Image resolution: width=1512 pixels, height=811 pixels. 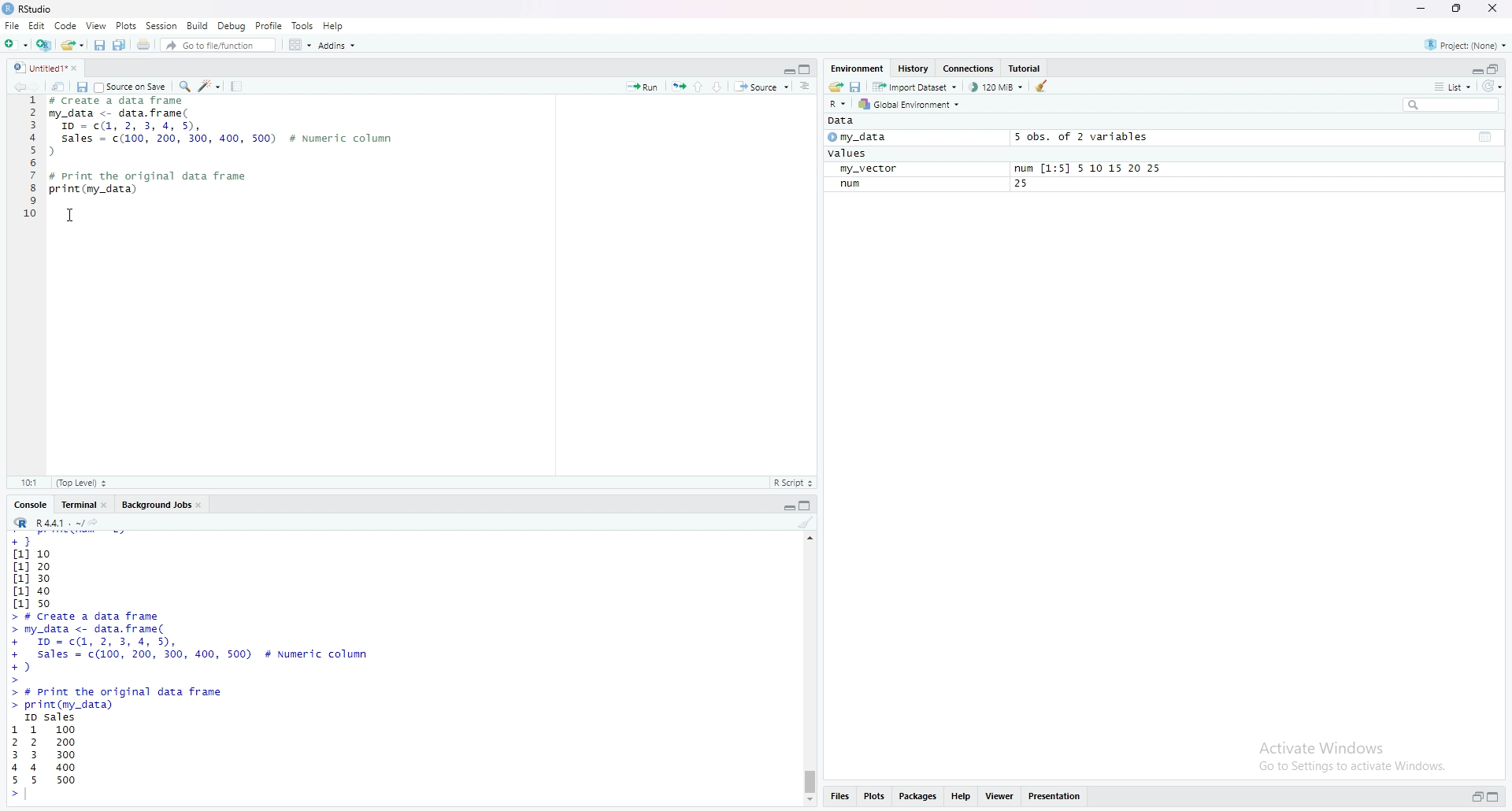 What do you see at coordinates (1469, 43) in the screenshot?
I see `Project:(None)` at bounding box center [1469, 43].